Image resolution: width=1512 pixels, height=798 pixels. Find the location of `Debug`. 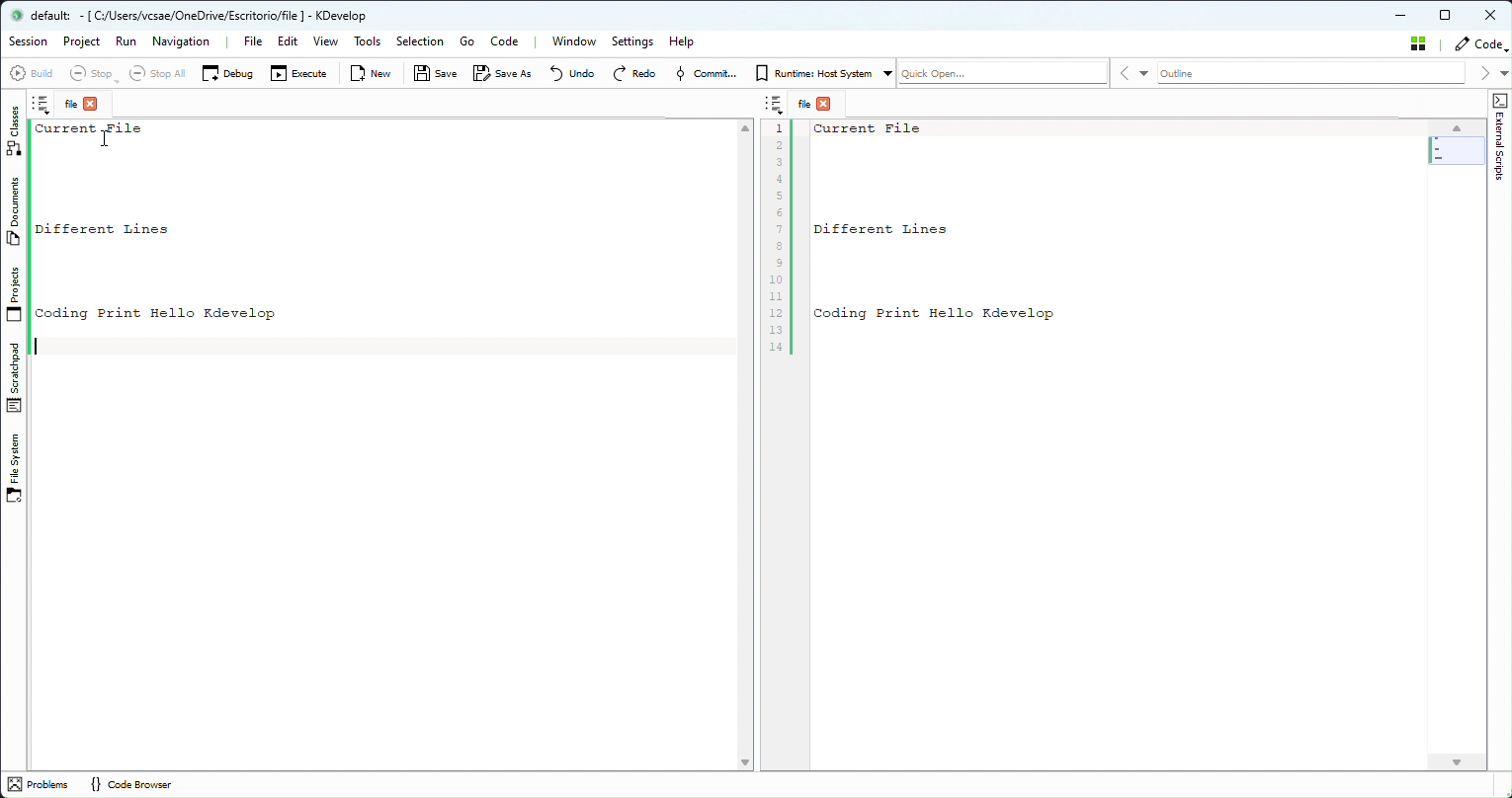

Debug is located at coordinates (230, 73).